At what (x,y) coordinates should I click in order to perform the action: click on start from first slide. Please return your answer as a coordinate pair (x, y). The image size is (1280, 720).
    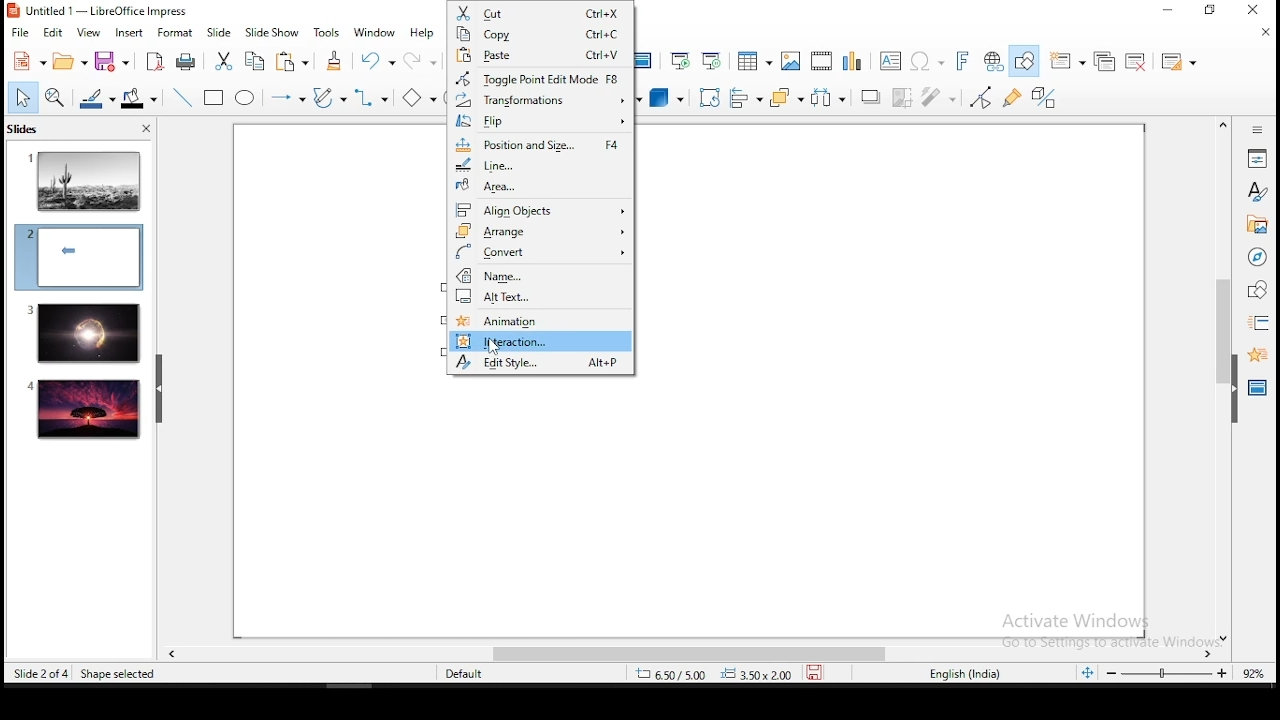
    Looking at the image, I should click on (680, 61).